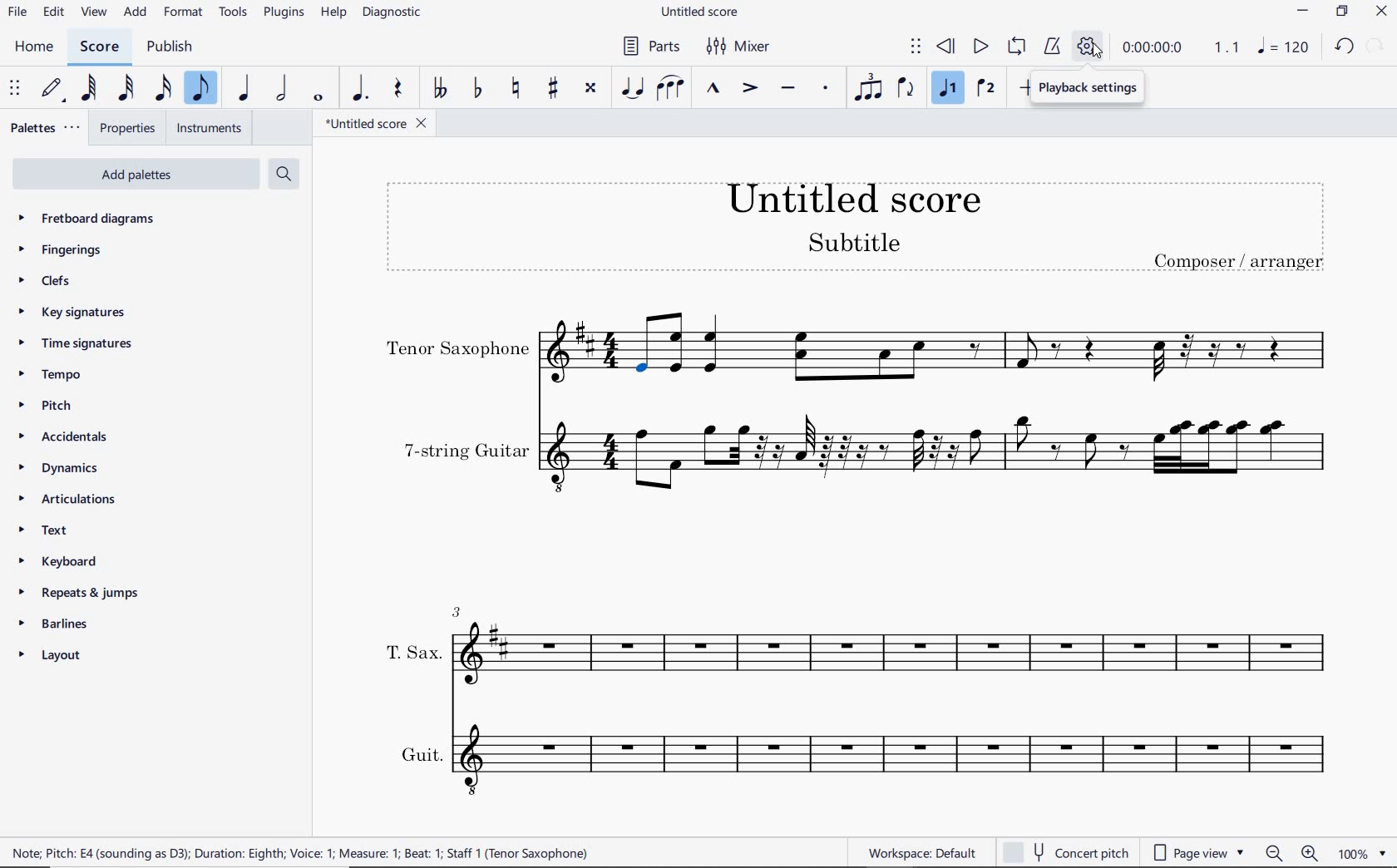  I want to click on VOICE 1, so click(949, 89).